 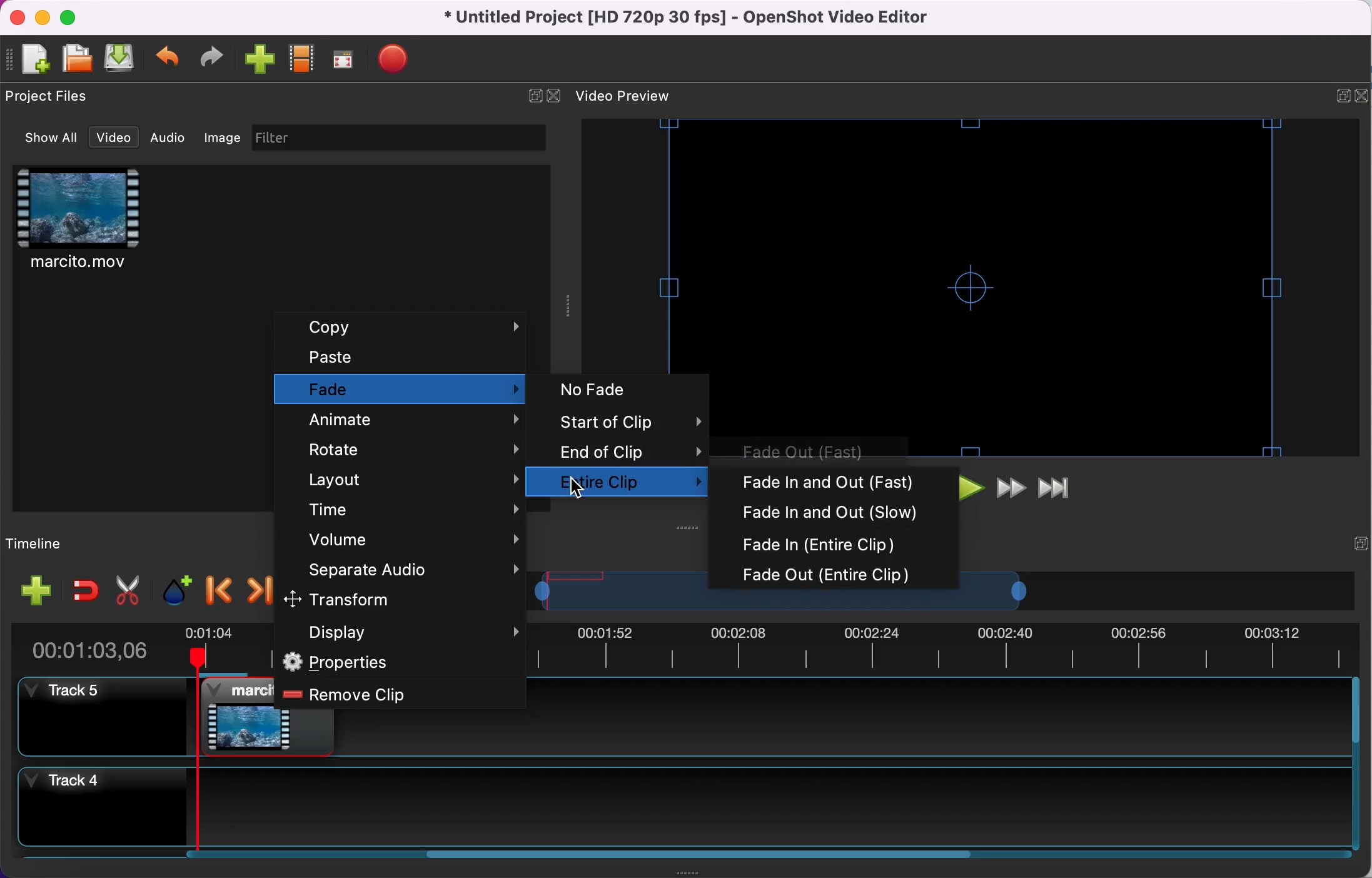 What do you see at coordinates (636, 479) in the screenshot?
I see `entire clip` at bounding box center [636, 479].